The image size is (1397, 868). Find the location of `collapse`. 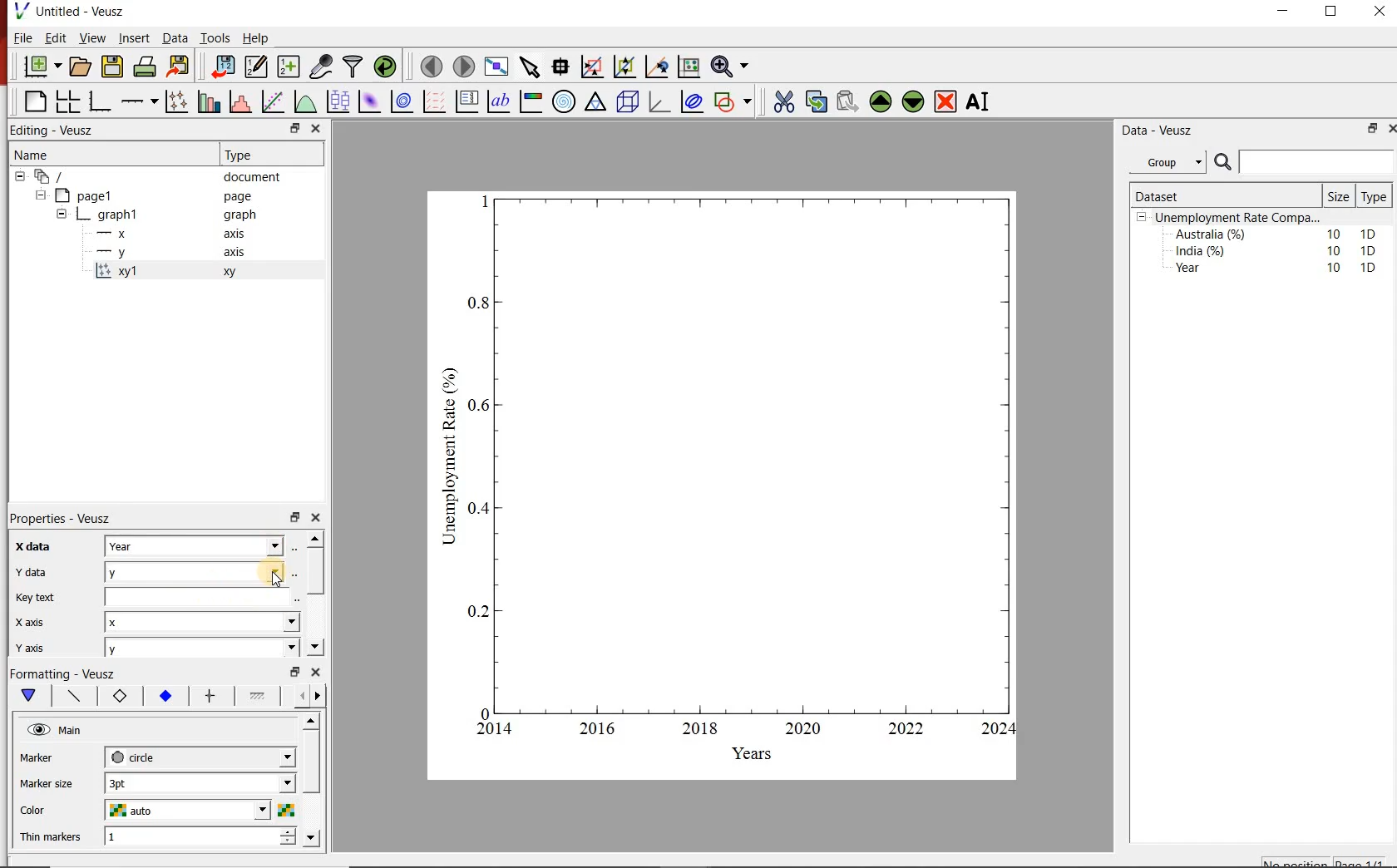

collapse is located at coordinates (40, 195).